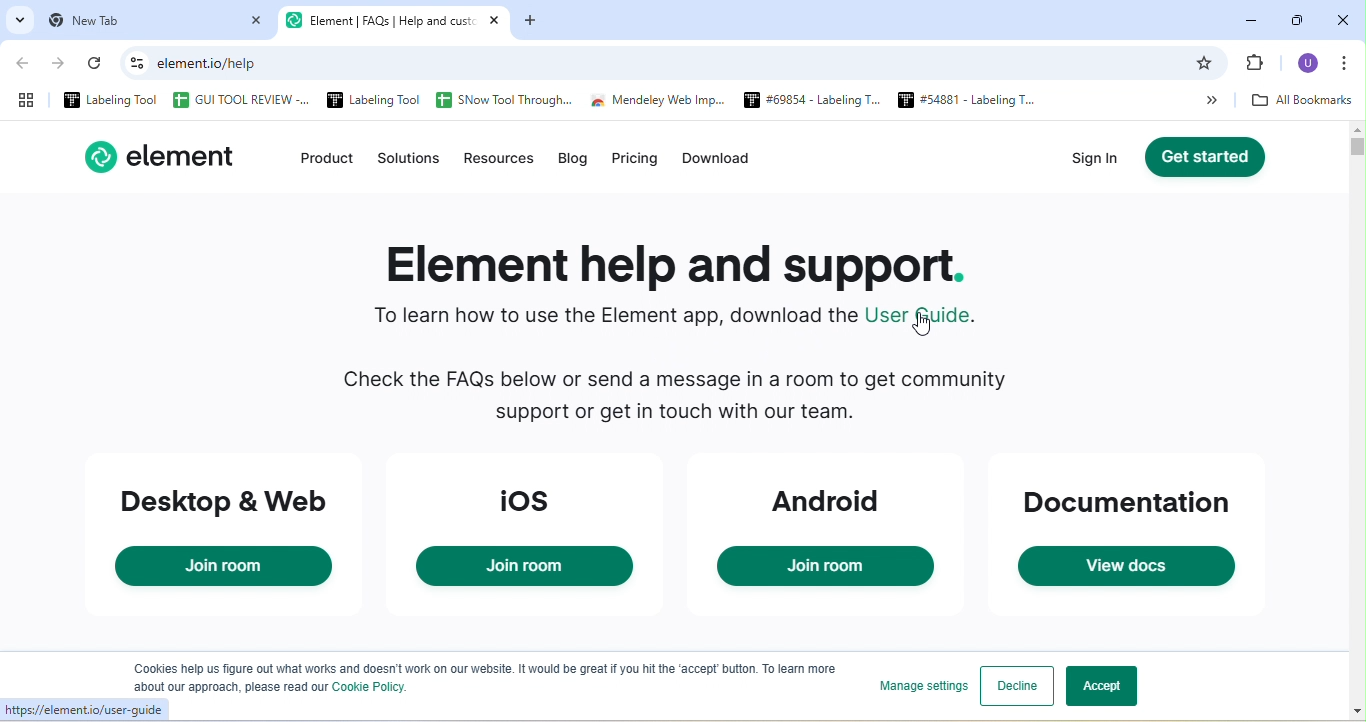 This screenshot has height=722, width=1366. What do you see at coordinates (1295, 17) in the screenshot?
I see `maximize` at bounding box center [1295, 17].